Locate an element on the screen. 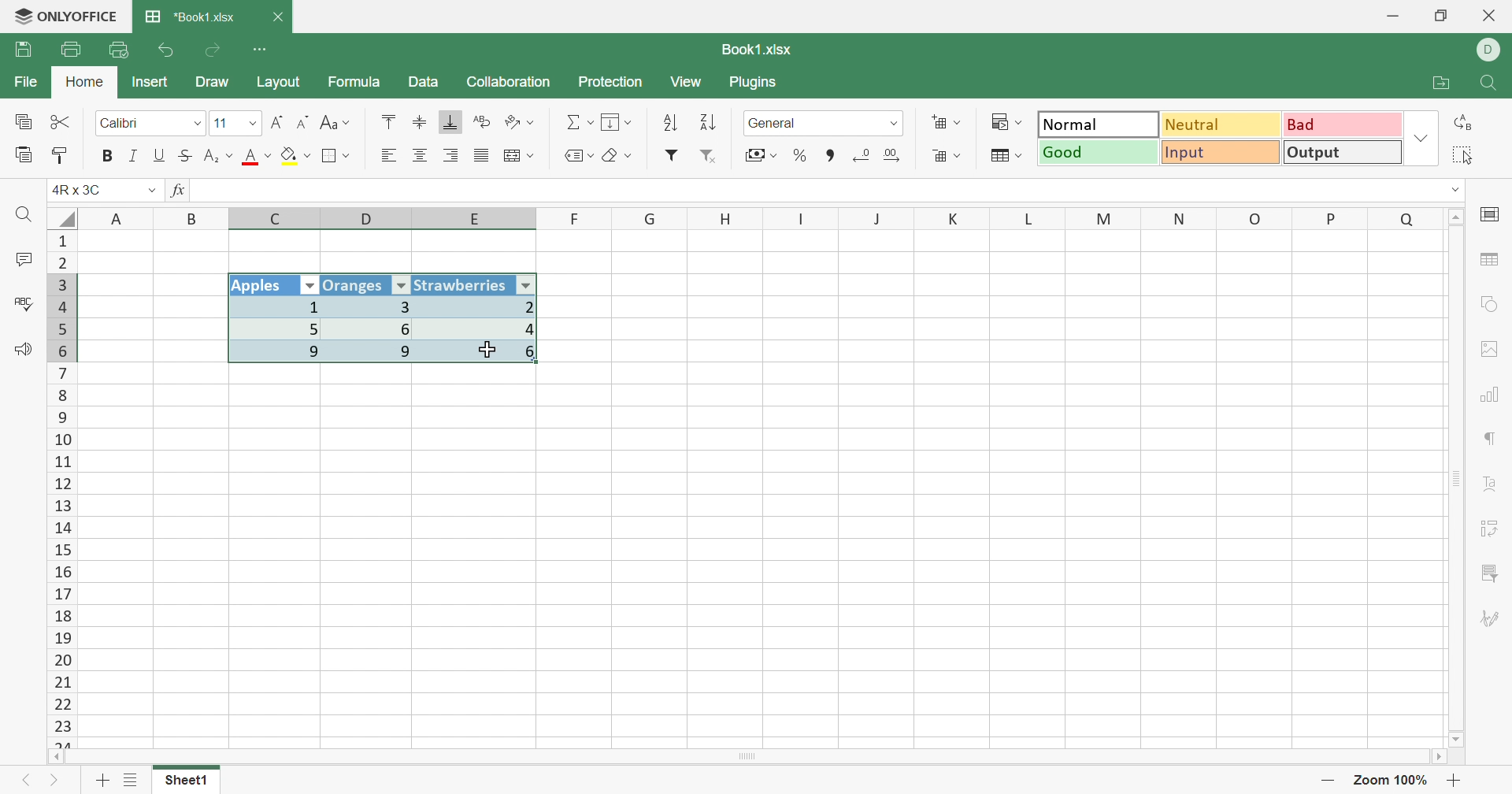 The height and width of the screenshot is (794, 1512). Insert columns is located at coordinates (519, 156).